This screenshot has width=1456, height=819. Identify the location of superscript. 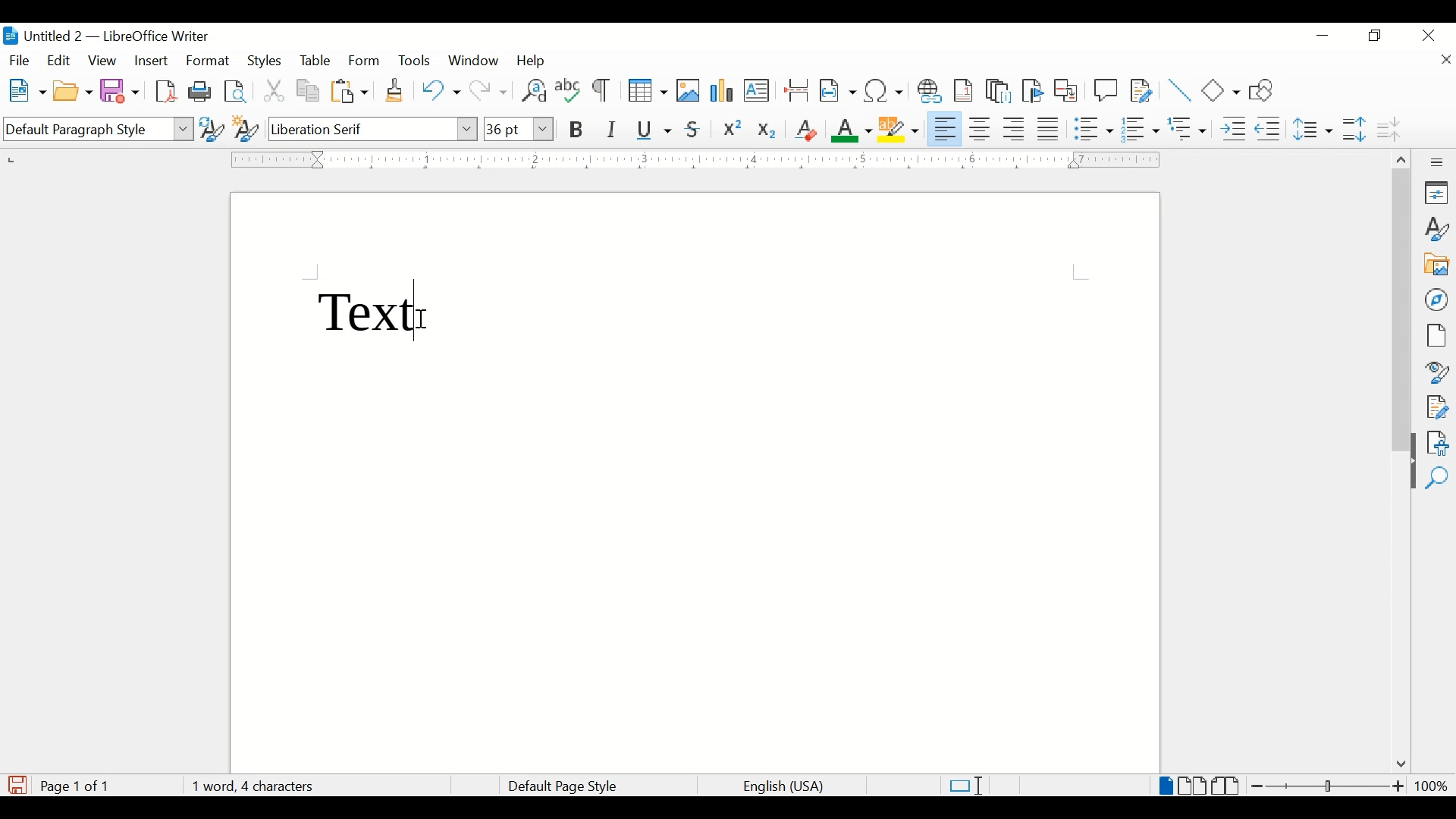
(733, 130).